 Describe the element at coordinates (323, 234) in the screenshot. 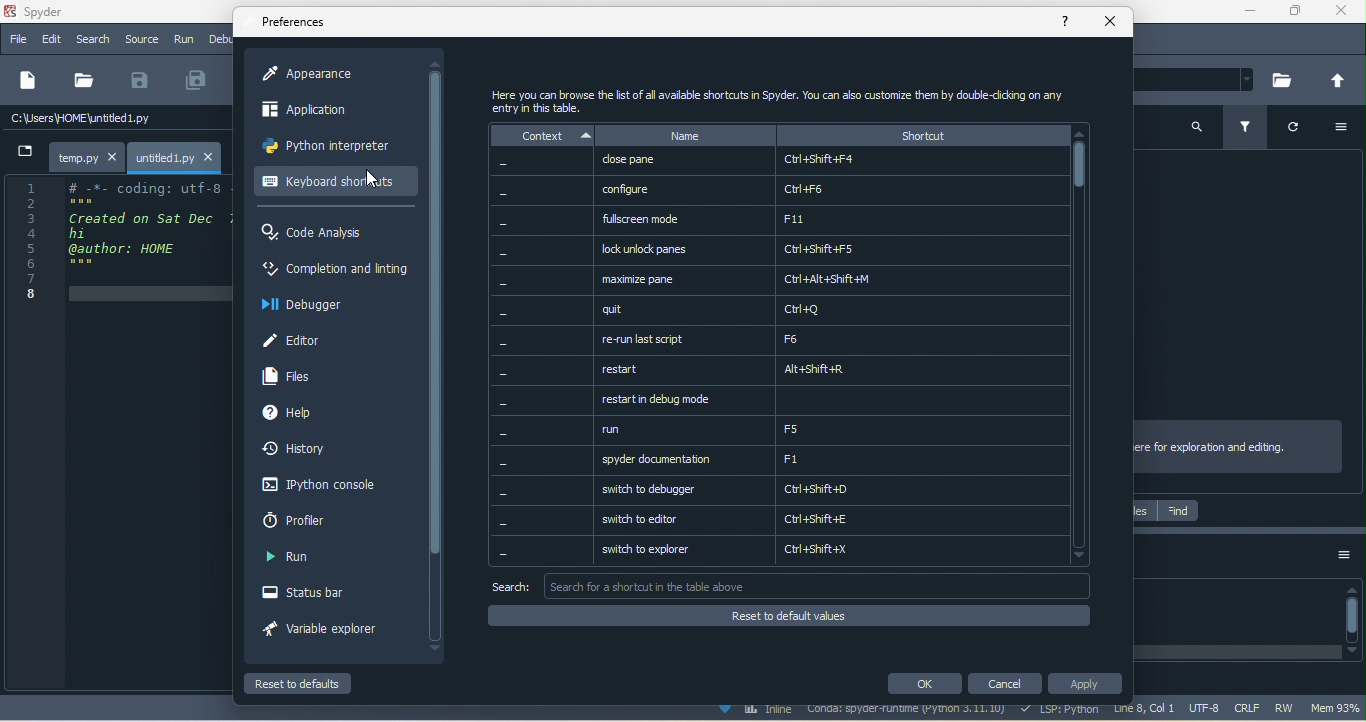

I see `code analysis` at that location.